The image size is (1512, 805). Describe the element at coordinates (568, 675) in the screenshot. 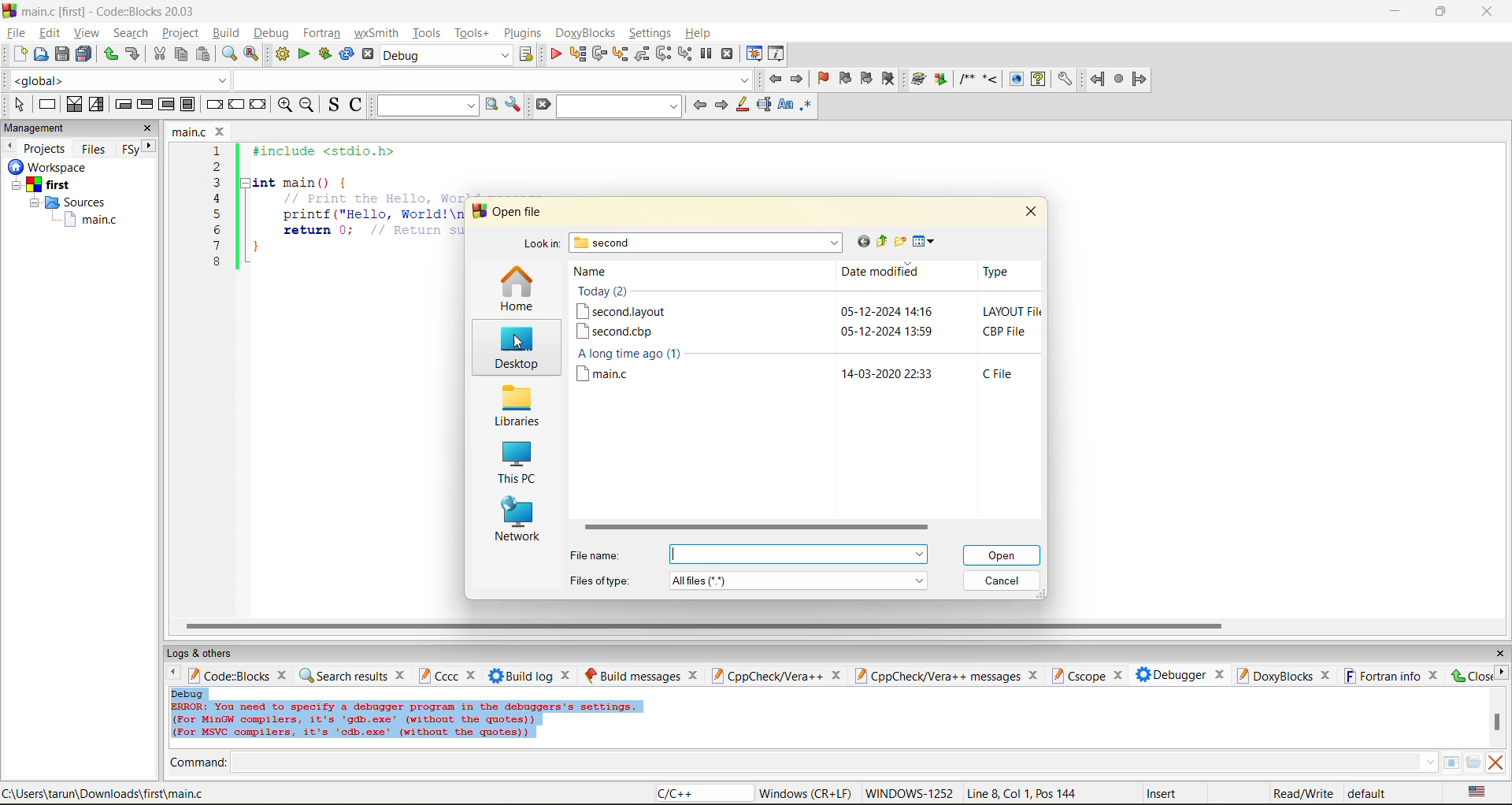

I see `close` at that location.